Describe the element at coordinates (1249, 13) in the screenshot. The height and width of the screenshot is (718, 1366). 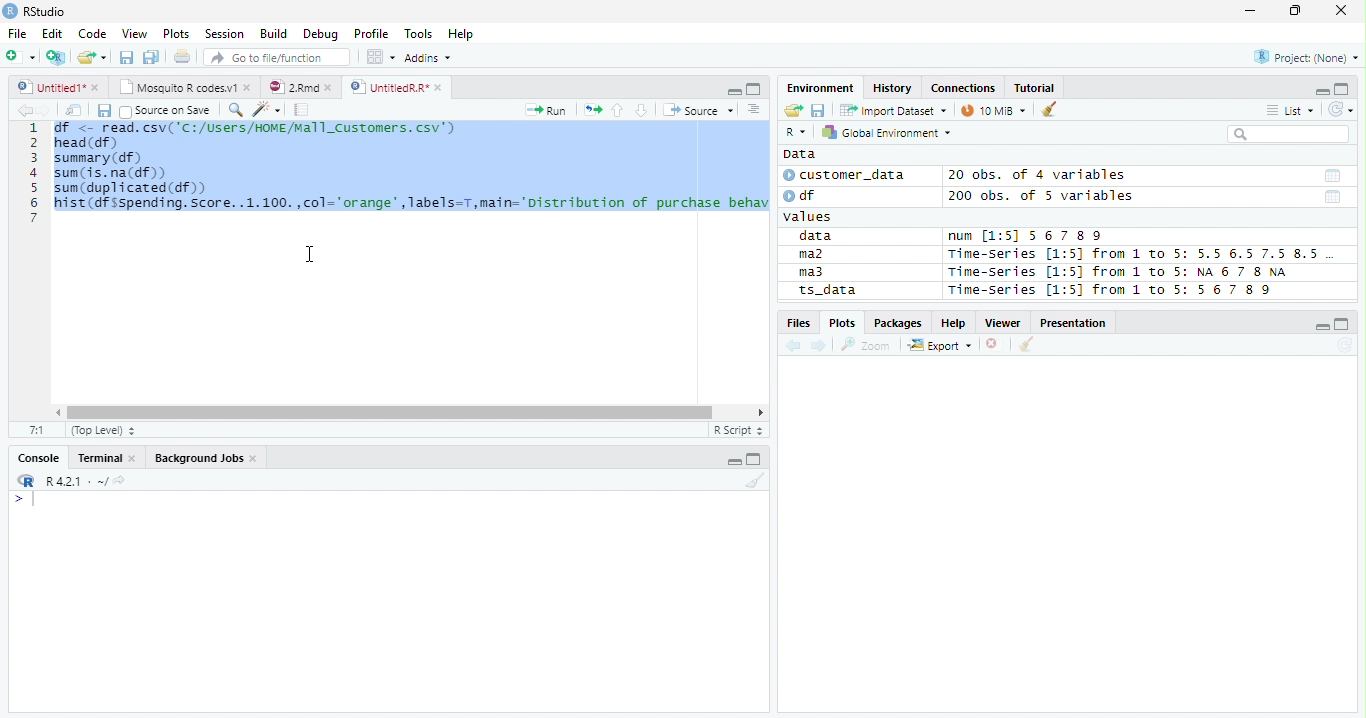
I see `Minimize` at that location.